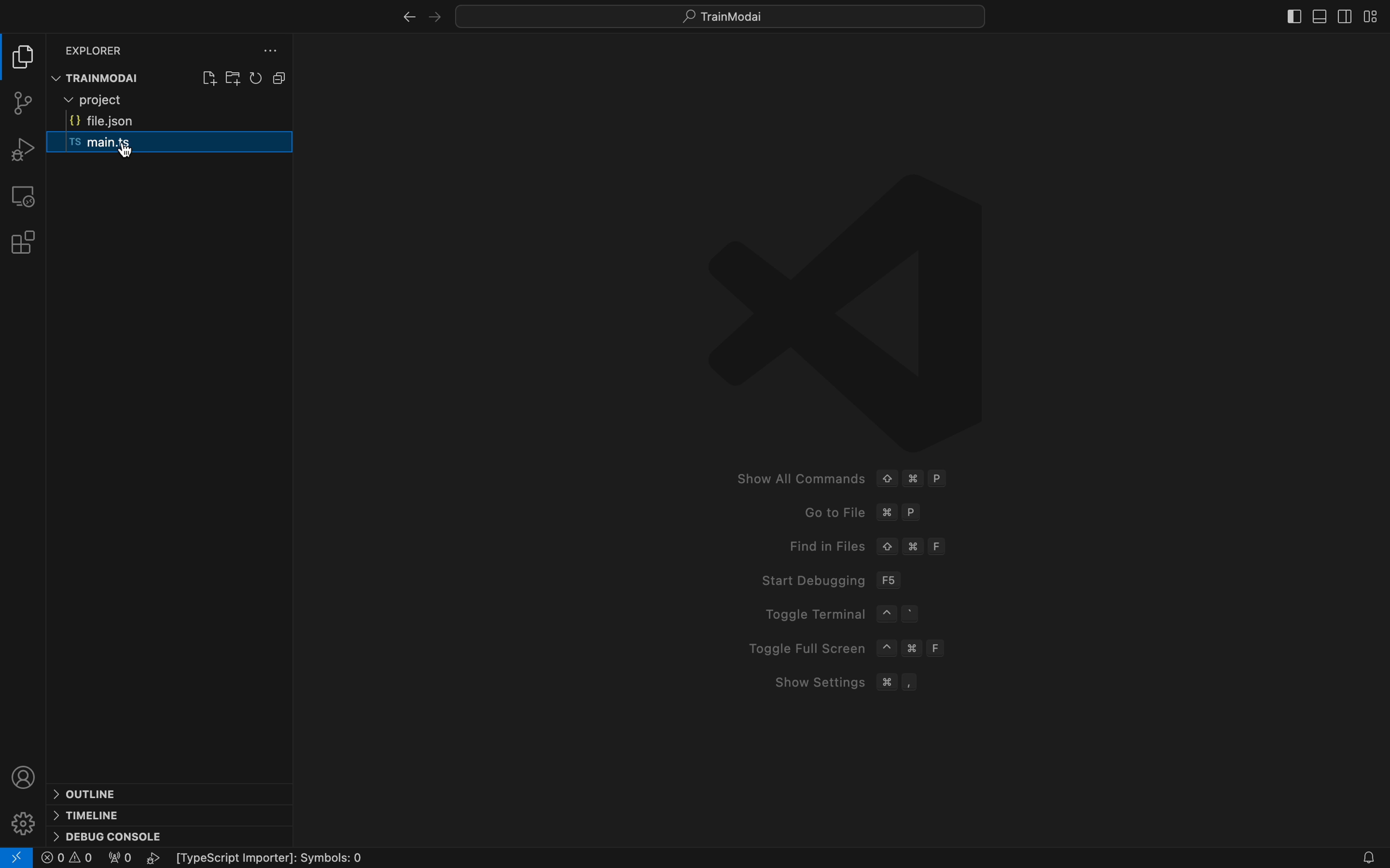 This screenshot has width=1390, height=868. Describe the element at coordinates (164, 123) in the screenshot. I see `file json` at that location.